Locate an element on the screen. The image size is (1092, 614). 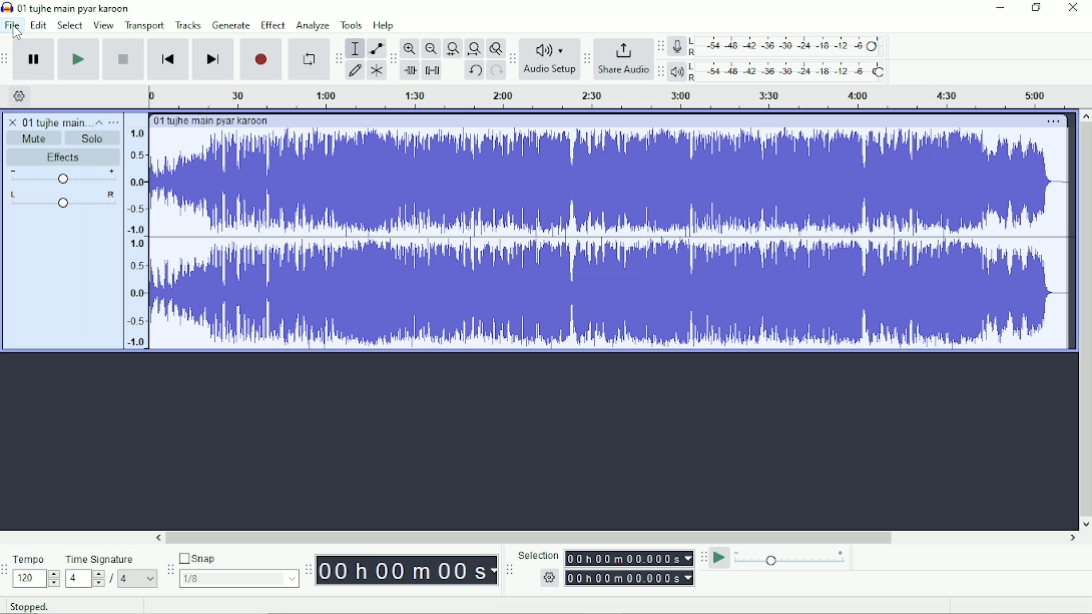
Play-at-speed is located at coordinates (720, 558).